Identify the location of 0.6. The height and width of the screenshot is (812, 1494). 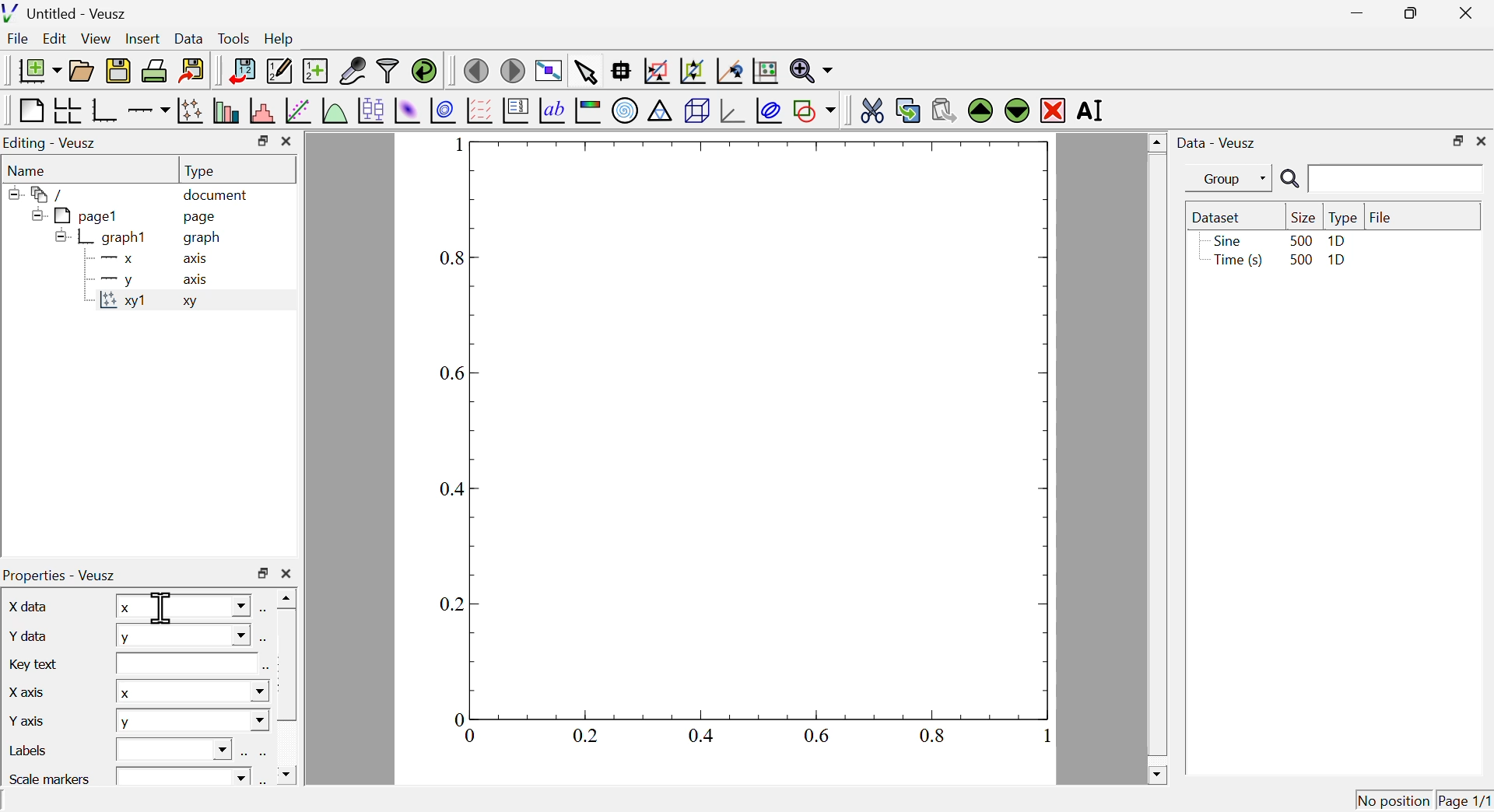
(455, 373).